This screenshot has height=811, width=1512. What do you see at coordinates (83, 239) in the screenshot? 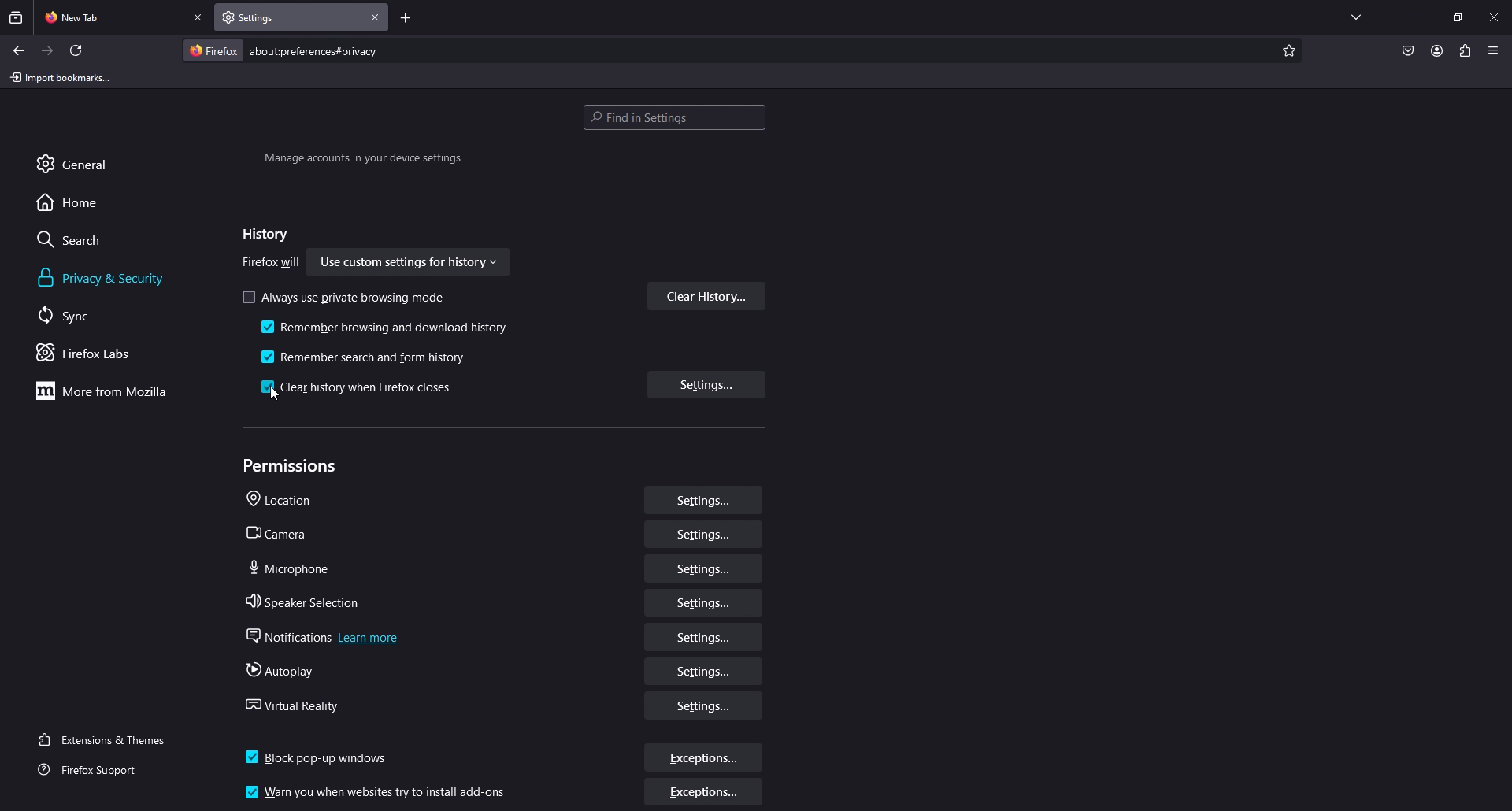
I see `search` at bounding box center [83, 239].